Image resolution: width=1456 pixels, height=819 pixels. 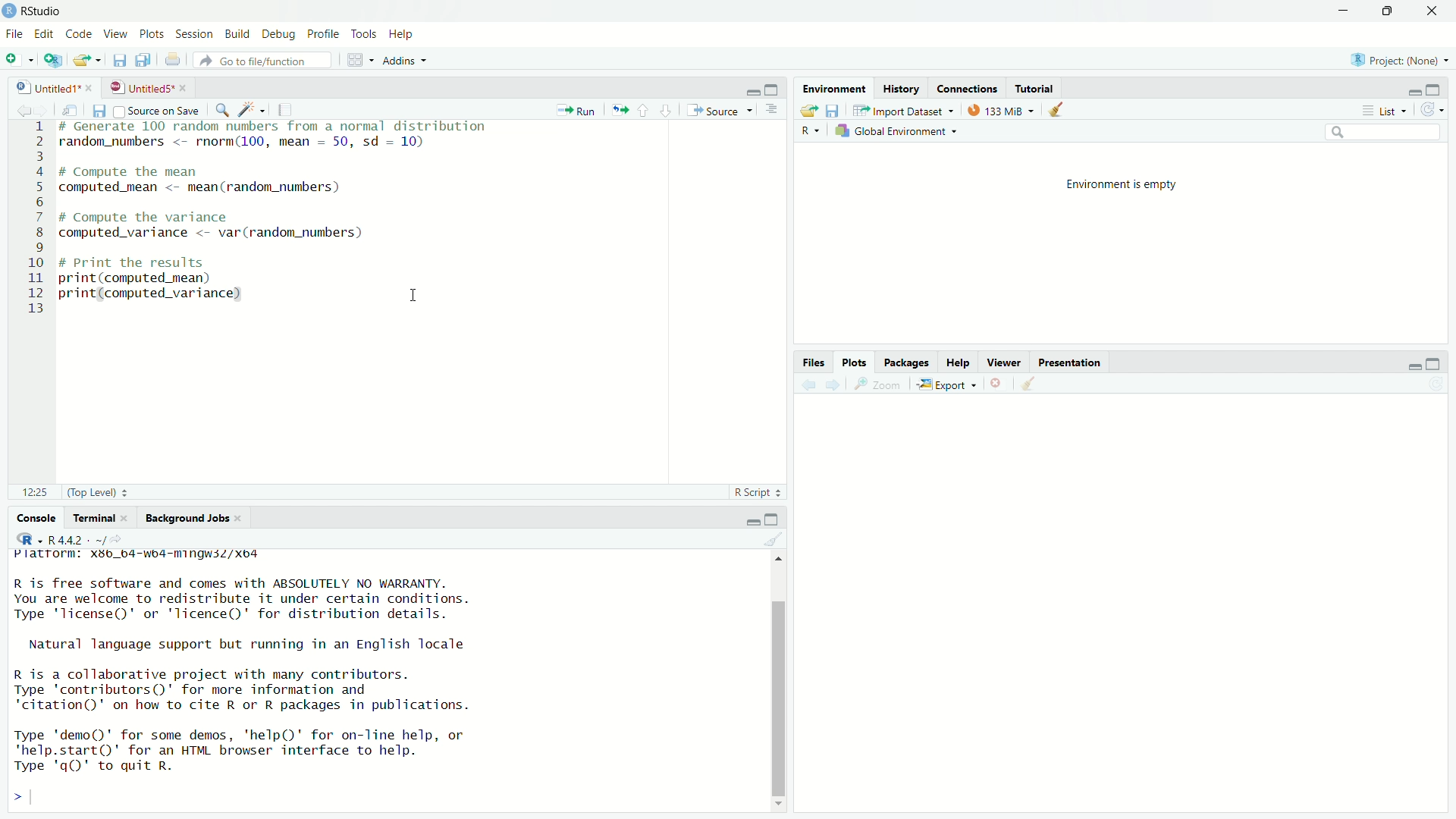 I want to click on files, so click(x=813, y=362).